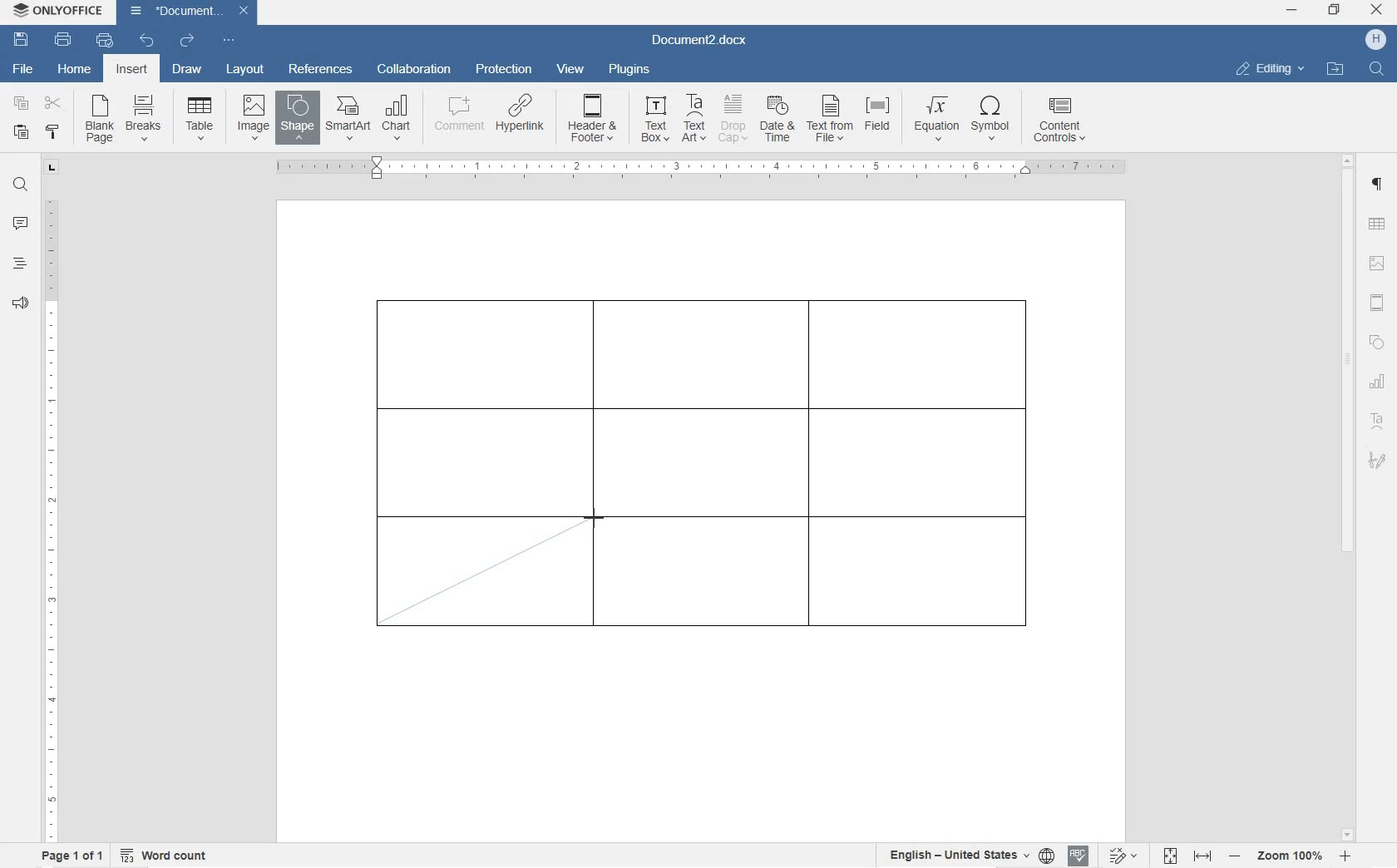 The image size is (1397, 868). I want to click on paragraph settings, so click(1378, 185).